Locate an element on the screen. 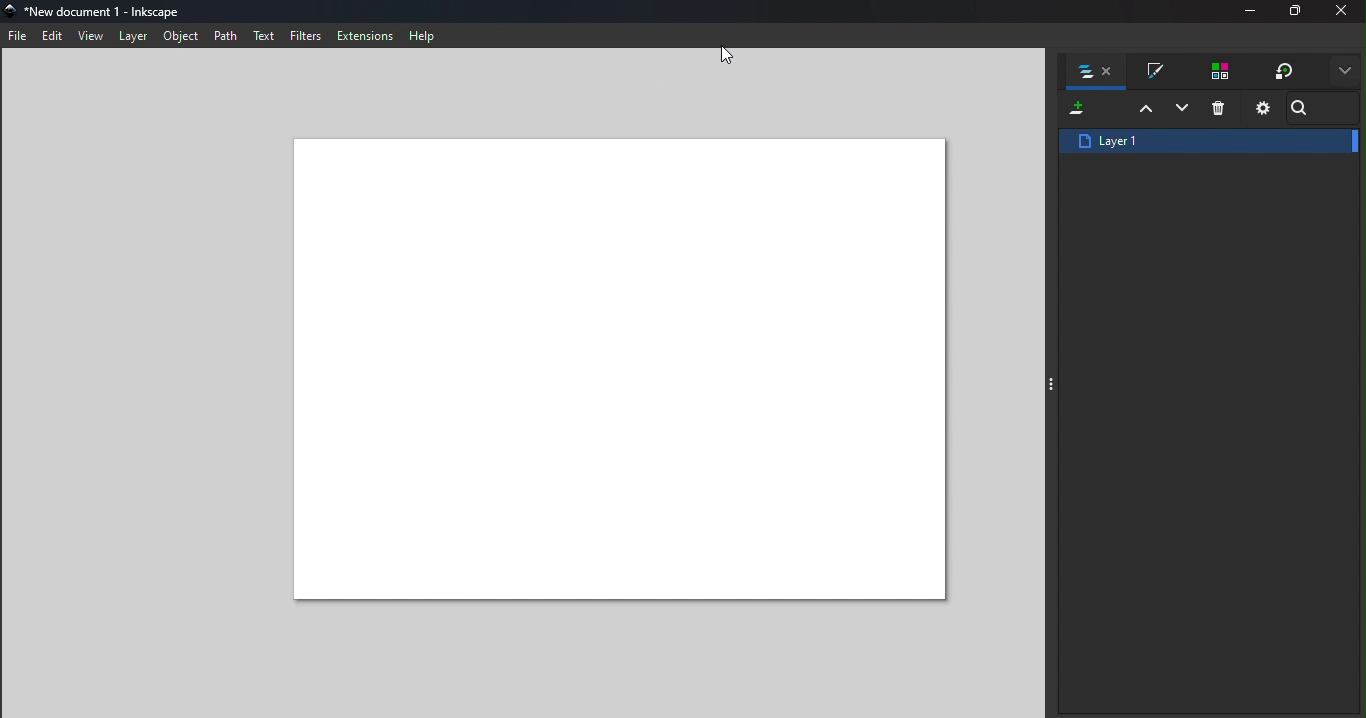  Help is located at coordinates (426, 34).